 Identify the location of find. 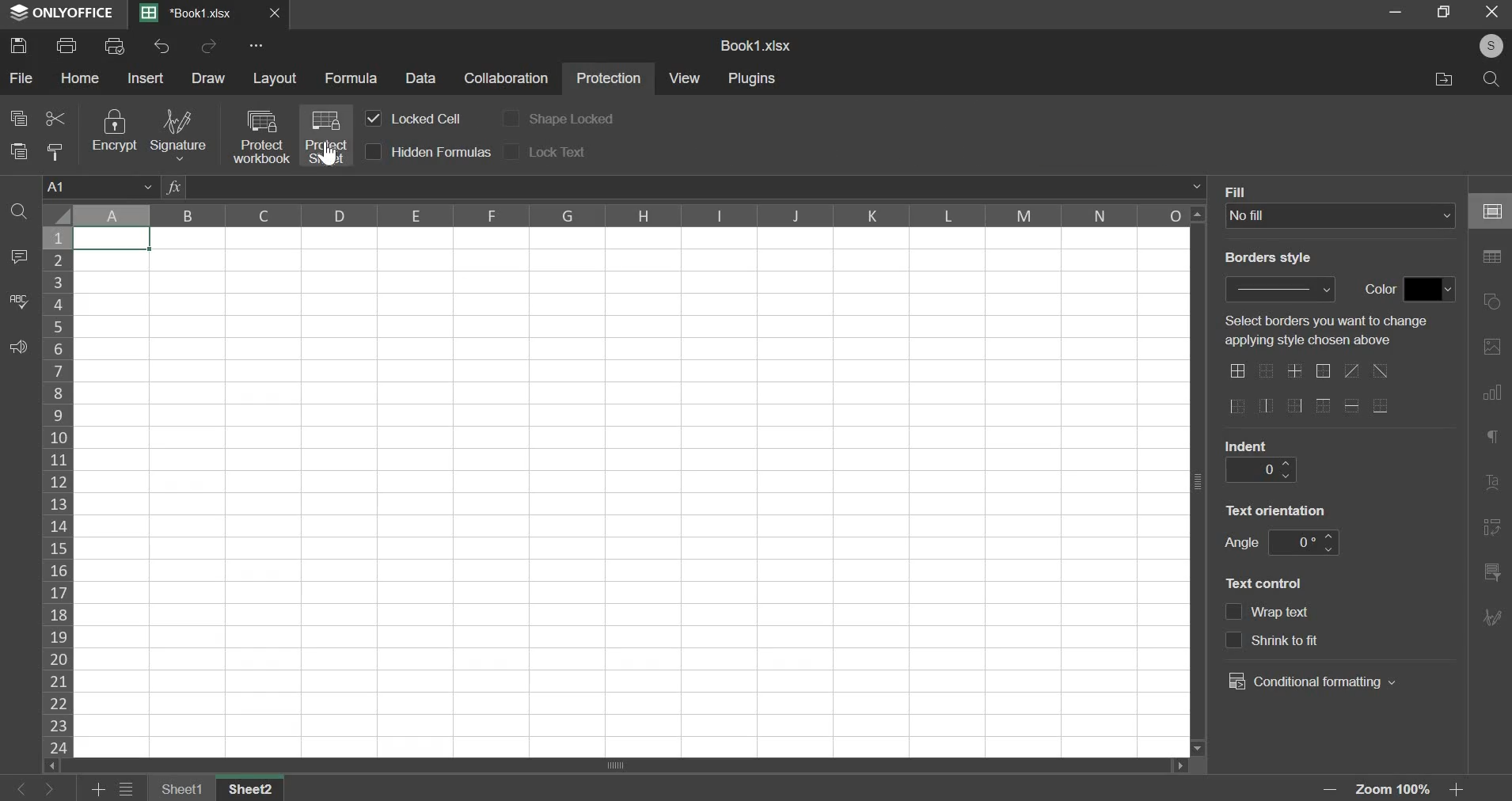
(20, 211).